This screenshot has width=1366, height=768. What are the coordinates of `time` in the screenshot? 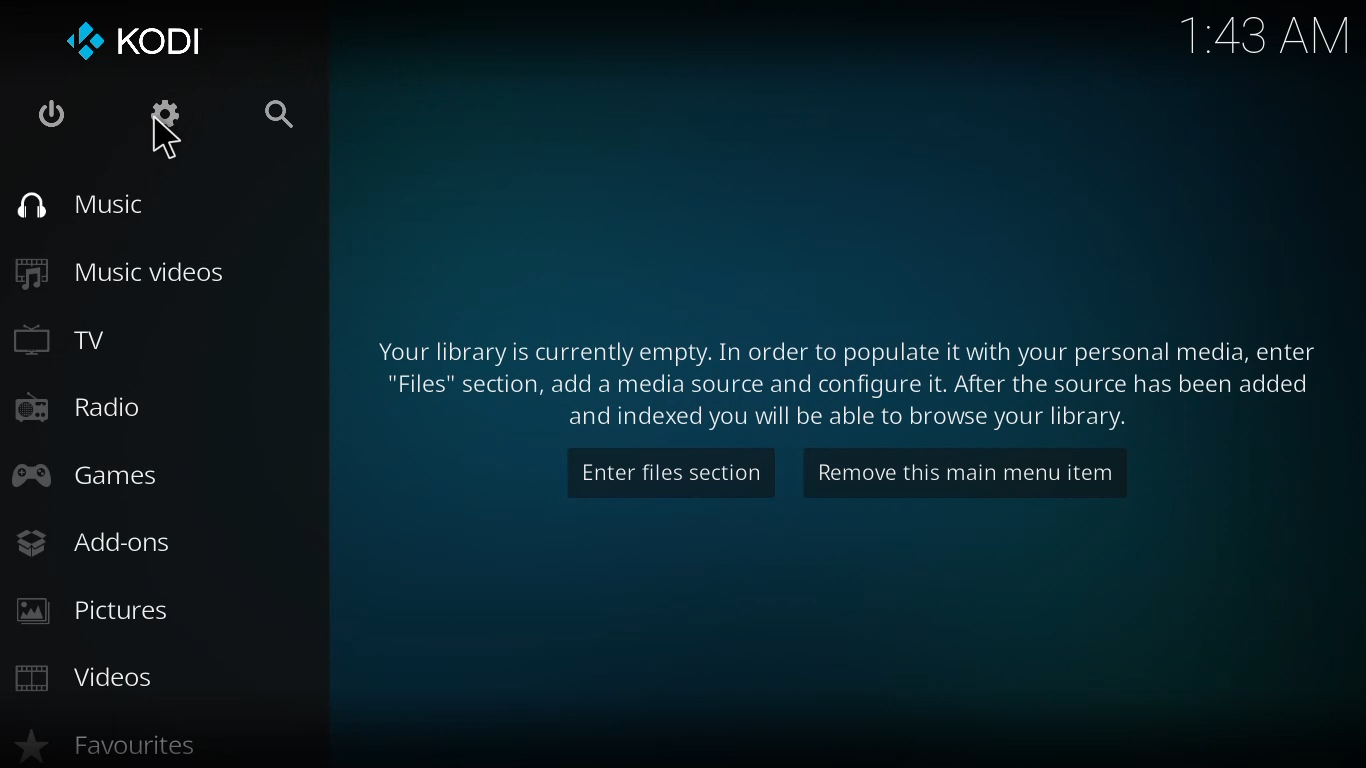 It's located at (1268, 35).